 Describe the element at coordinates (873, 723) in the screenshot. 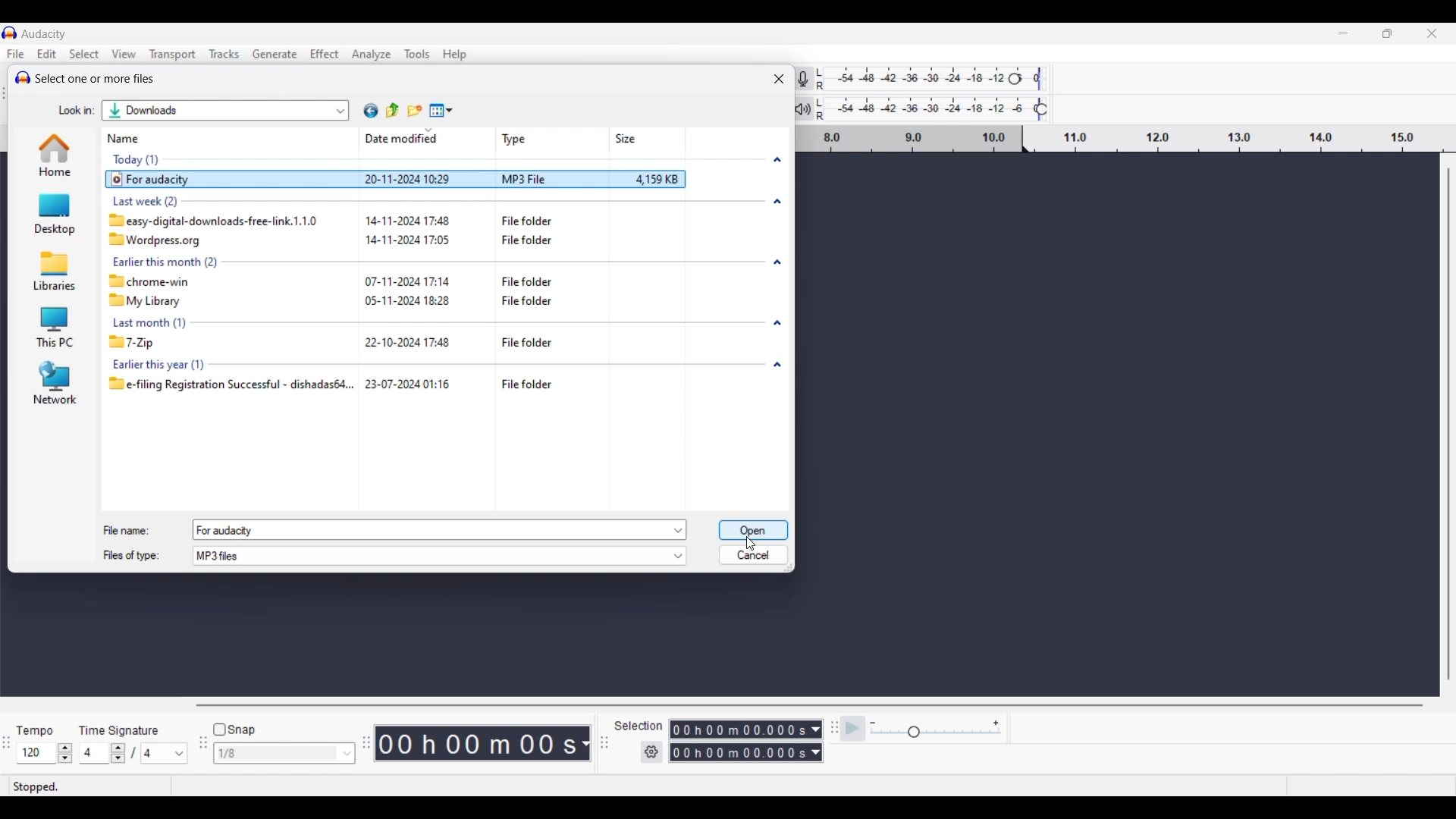

I see `Min. playback speed` at that location.